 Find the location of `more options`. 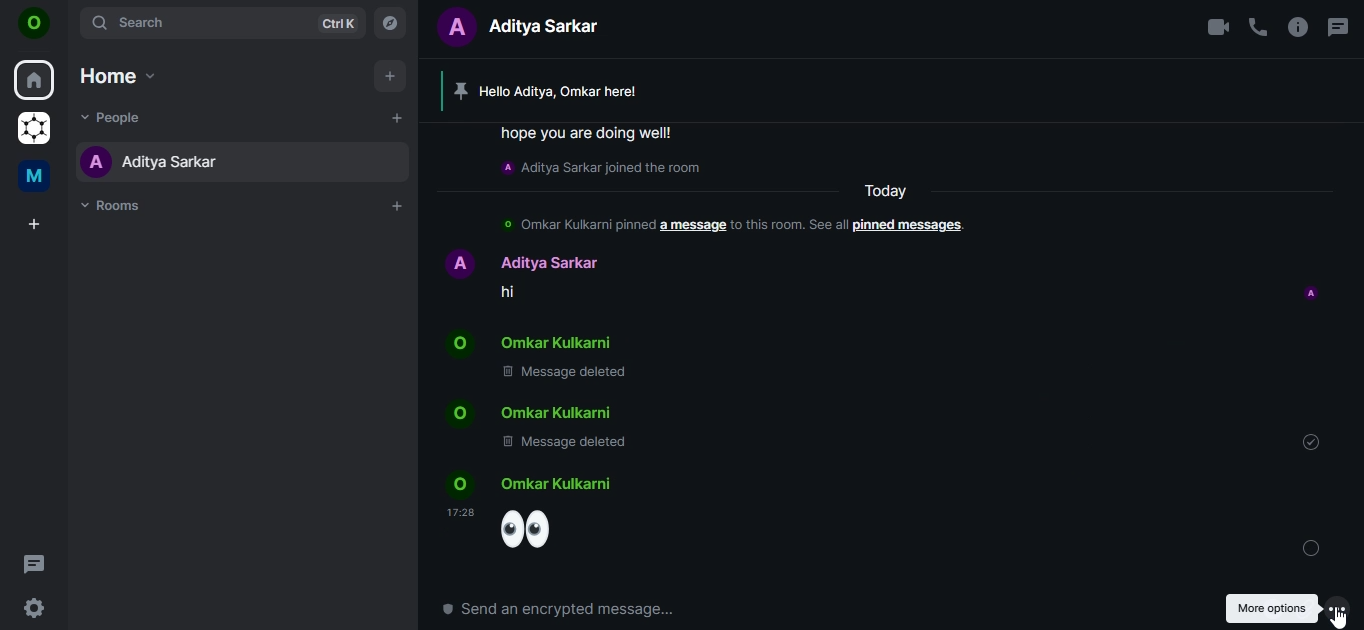

more options is located at coordinates (1271, 608).